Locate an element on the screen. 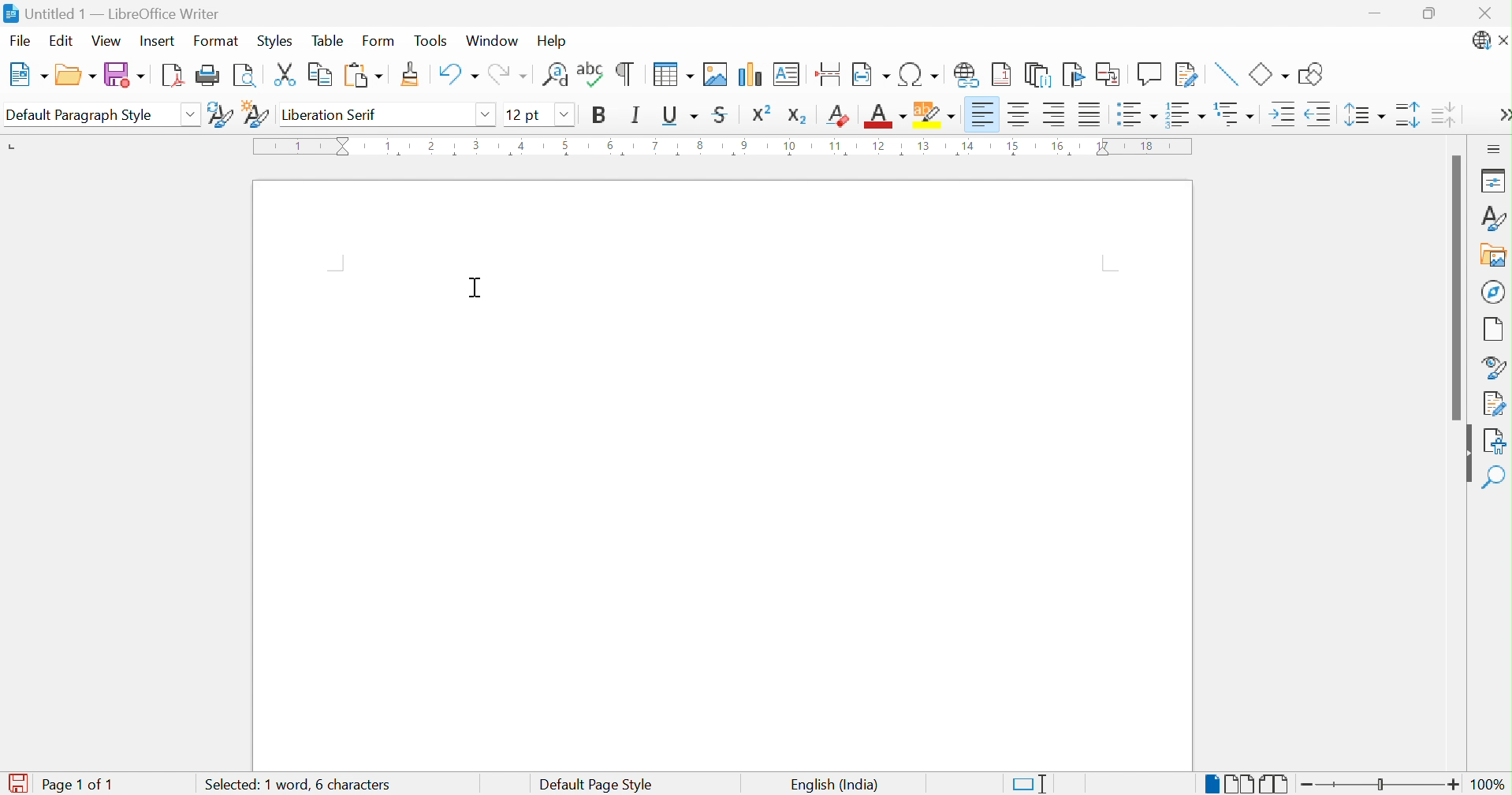  File is located at coordinates (21, 39).